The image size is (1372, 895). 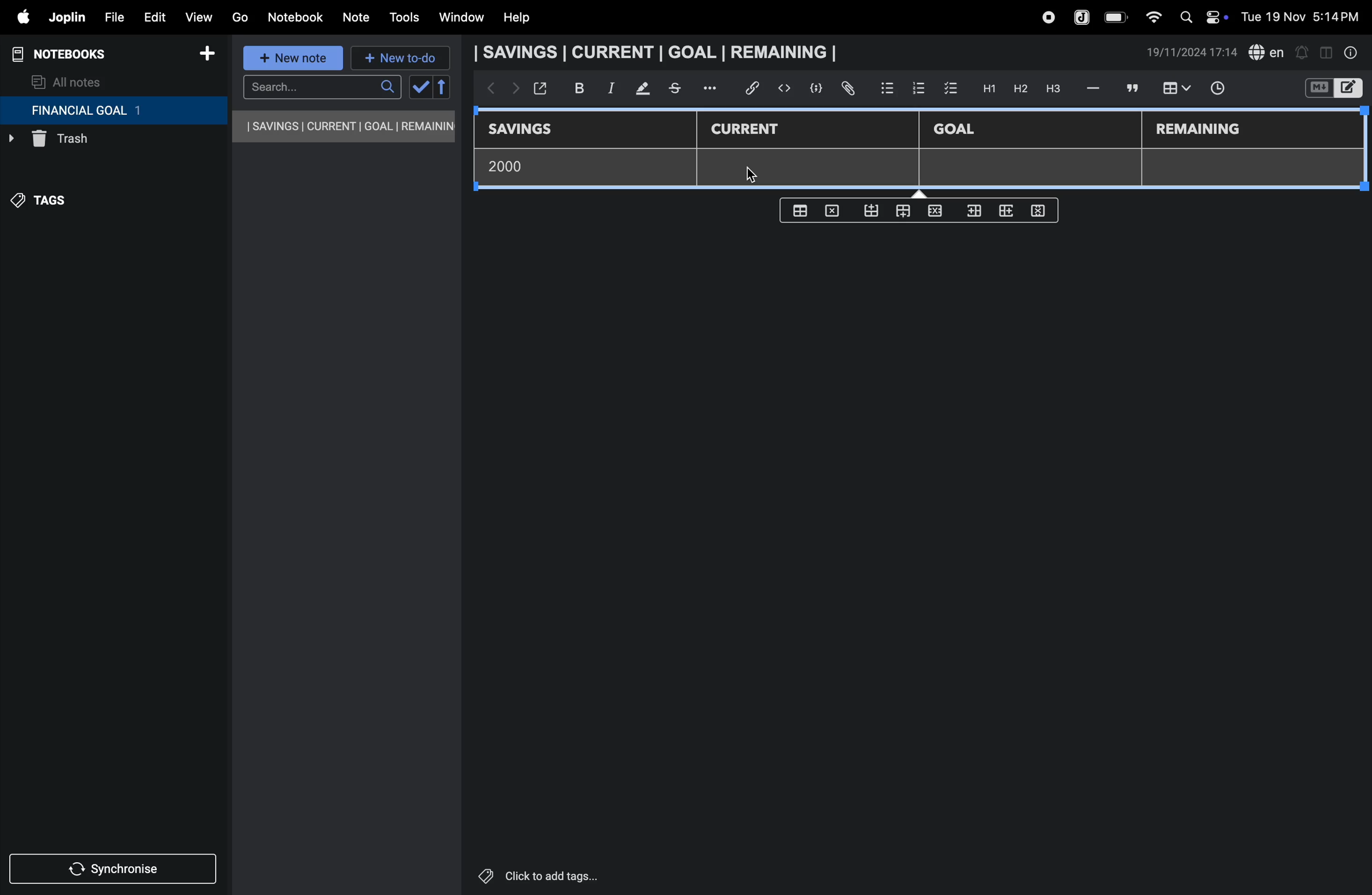 What do you see at coordinates (712, 88) in the screenshot?
I see `options` at bounding box center [712, 88].